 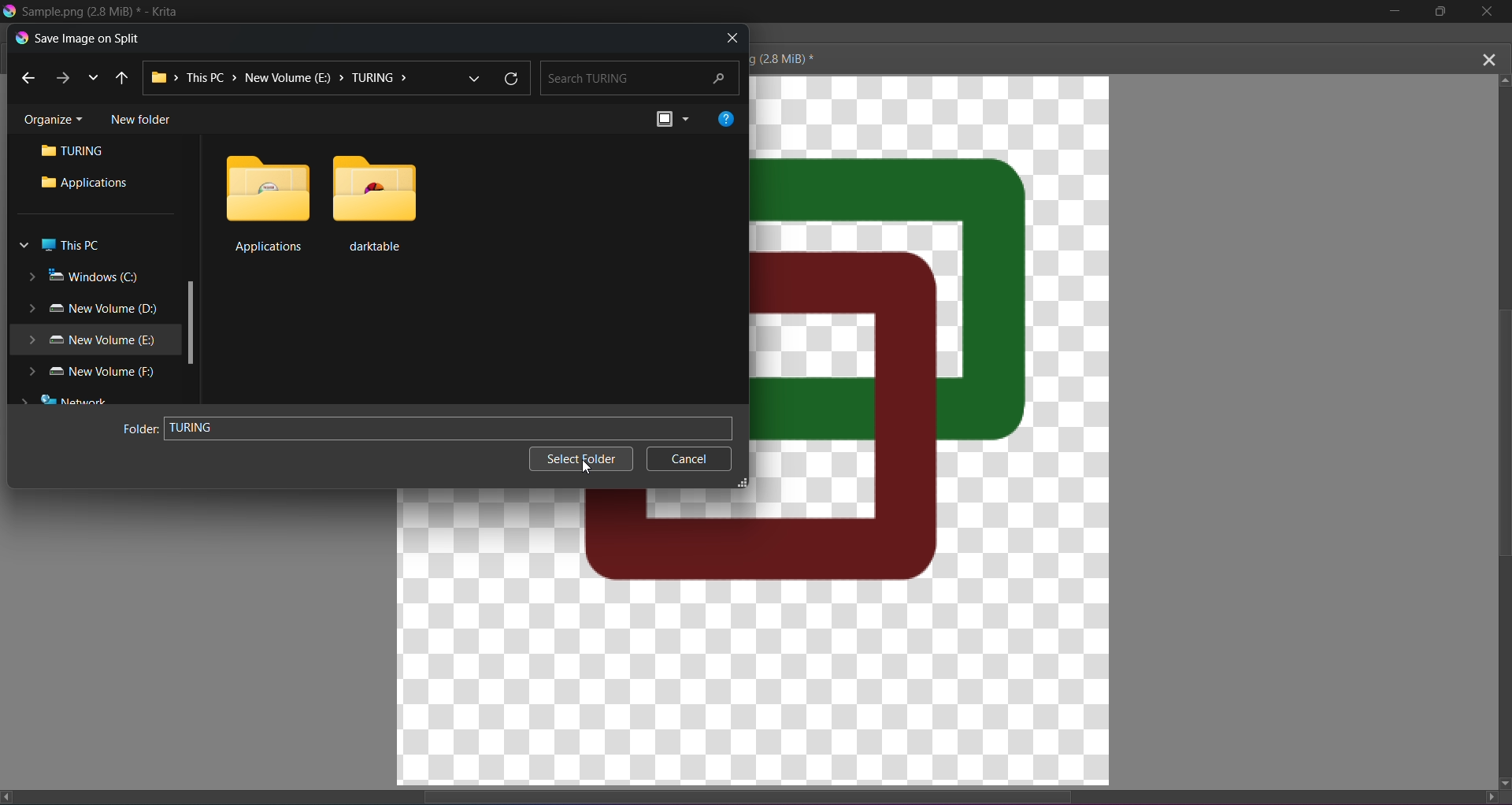 I want to click on Search New Volume (E), so click(x=642, y=76).